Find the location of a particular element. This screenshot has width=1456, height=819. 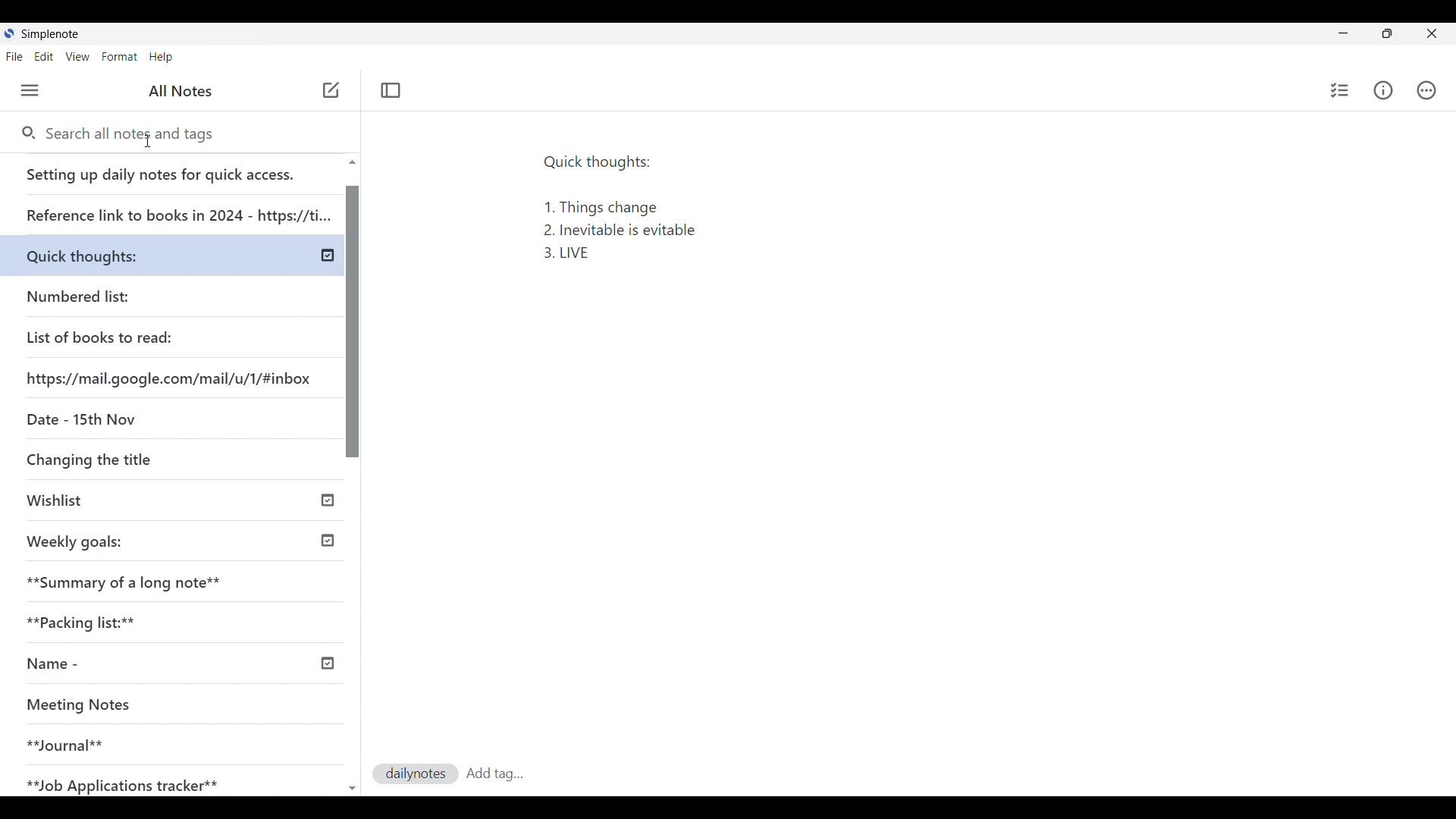

Actions is located at coordinates (1425, 89).